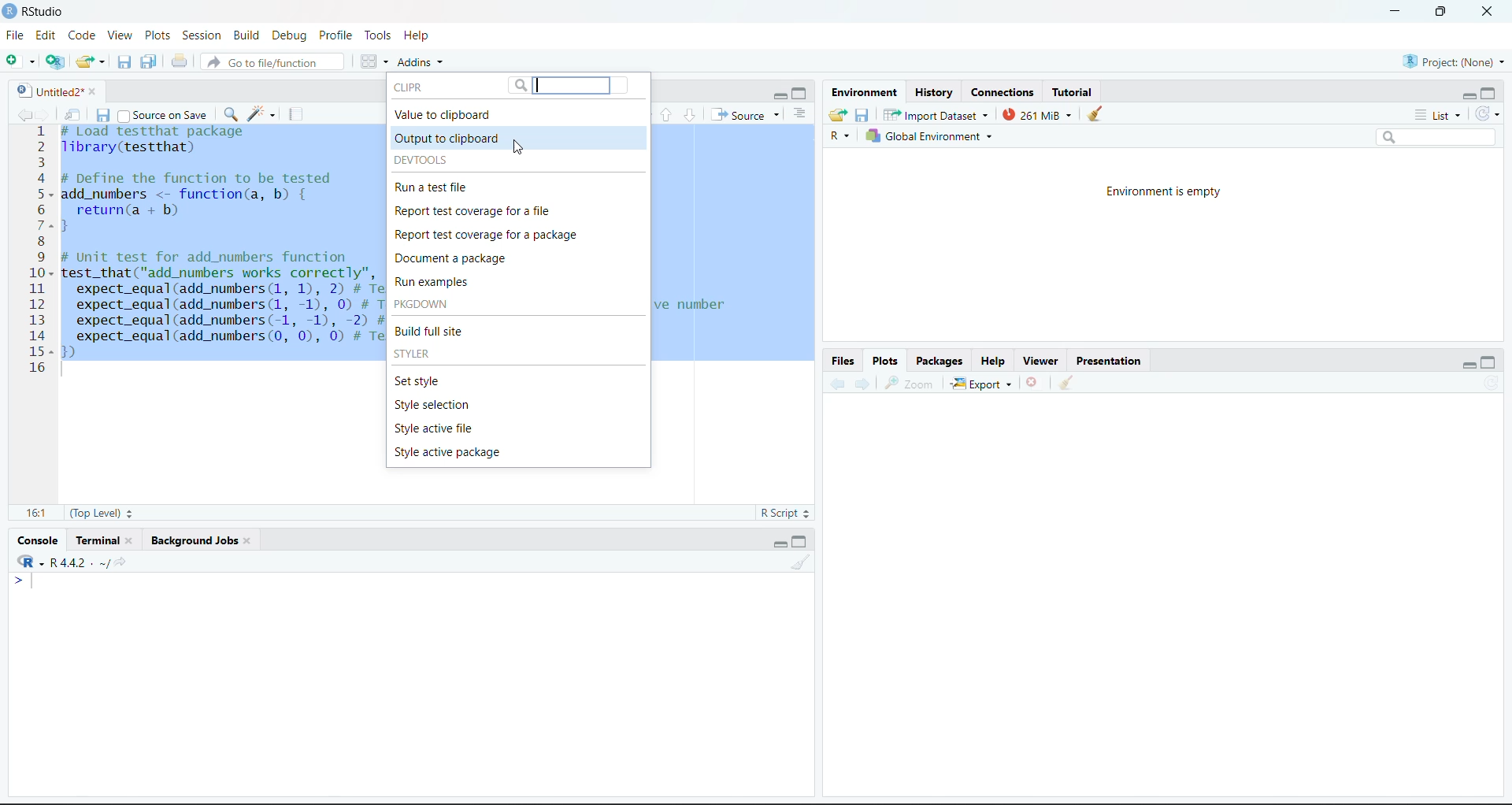 The width and height of the screenshot is (1512, 805). I want to click on Viewer, so click(1039, 362).